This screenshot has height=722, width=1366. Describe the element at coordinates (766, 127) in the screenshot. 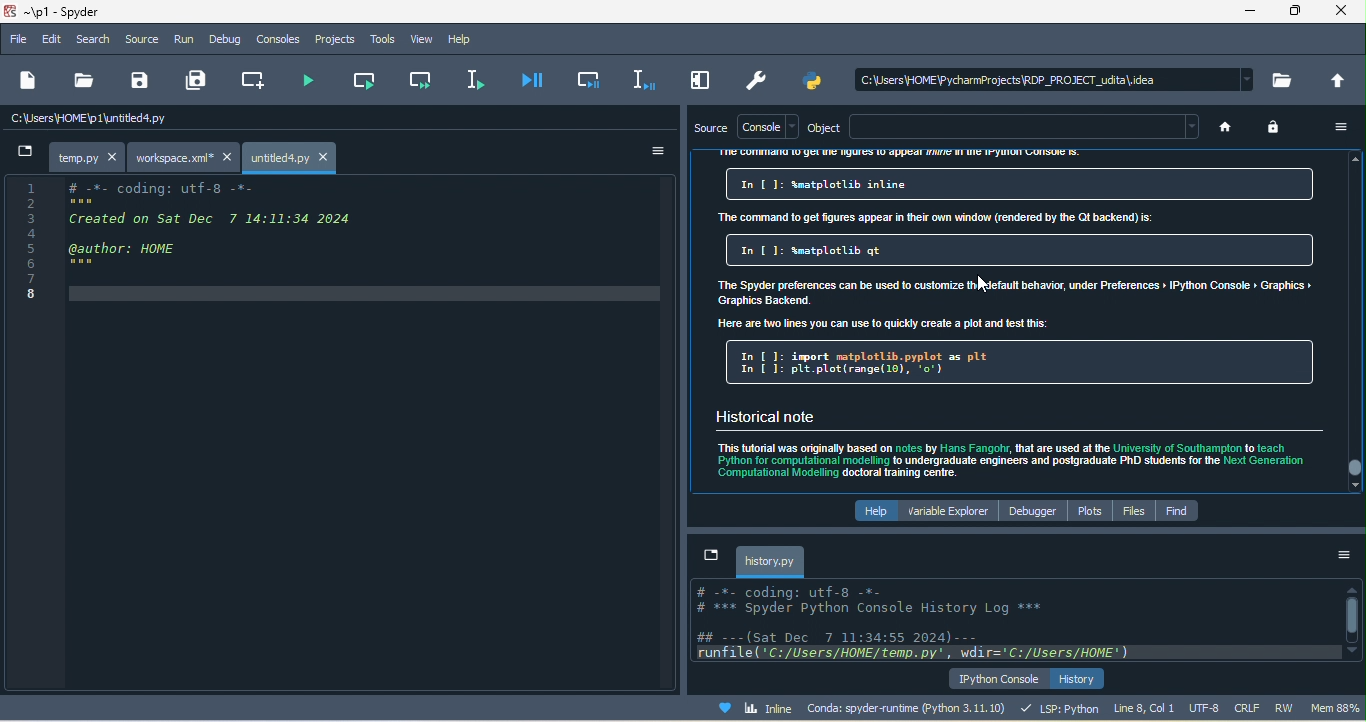

I see `console` at that location.